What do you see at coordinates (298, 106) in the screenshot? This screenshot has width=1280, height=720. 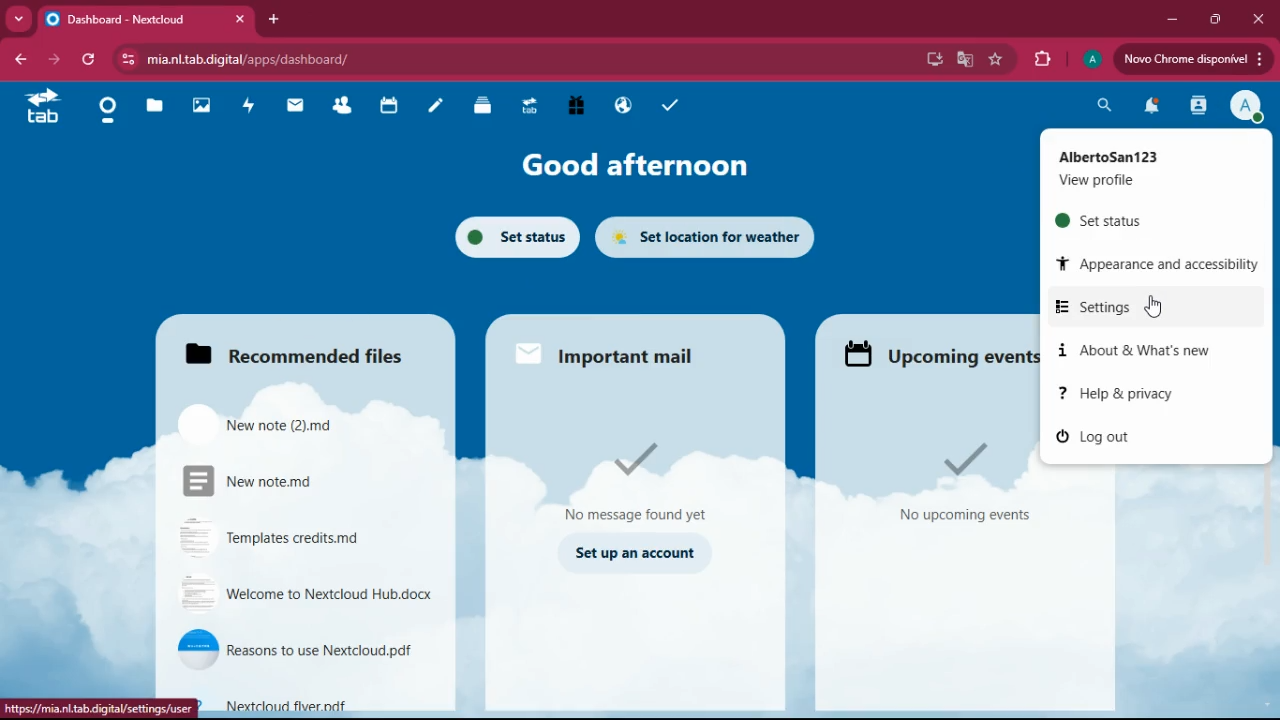 I see `mail` at bounding box center [298, 106].